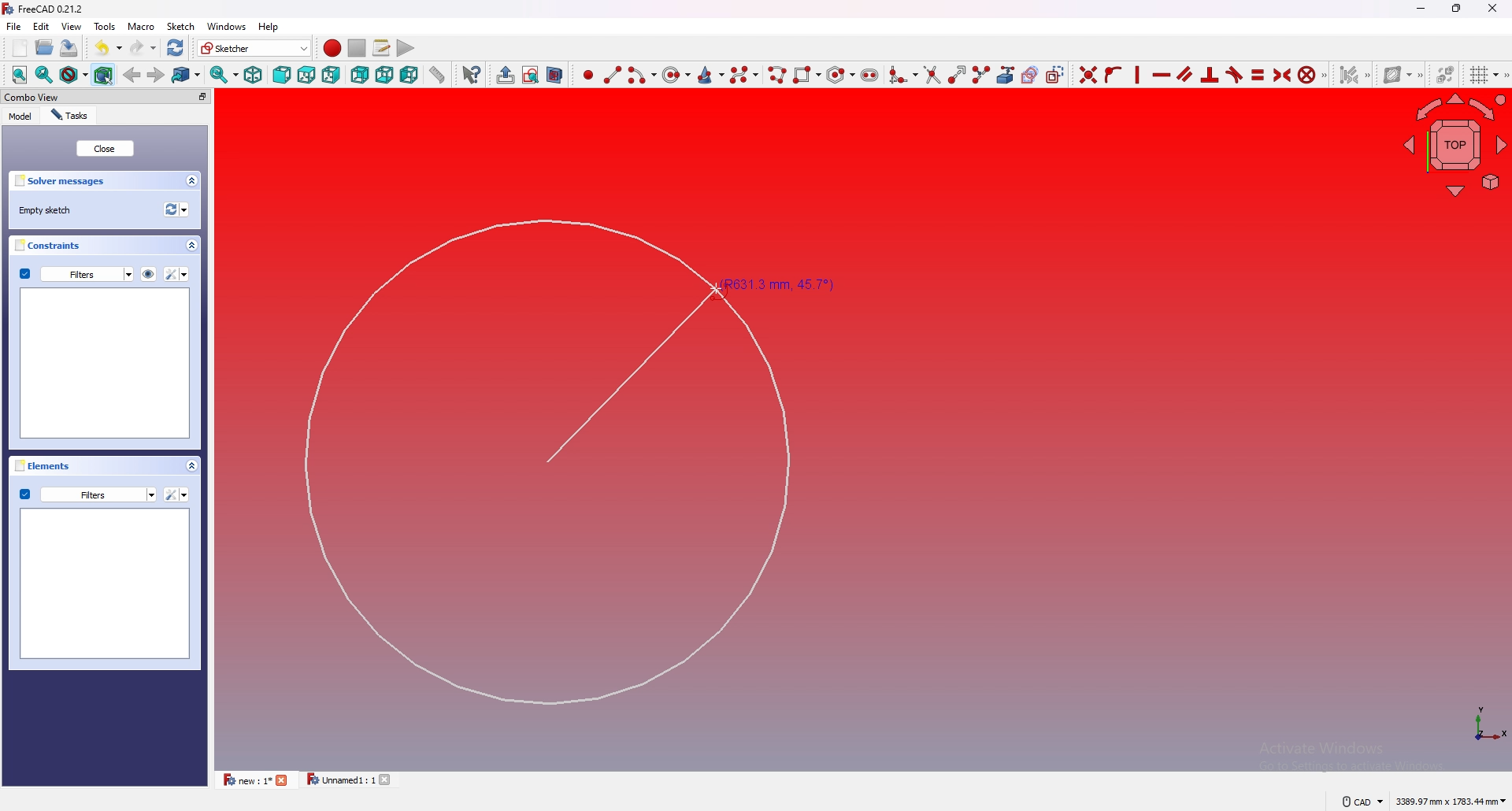  I want to click on minimize, so click(1421, 9).